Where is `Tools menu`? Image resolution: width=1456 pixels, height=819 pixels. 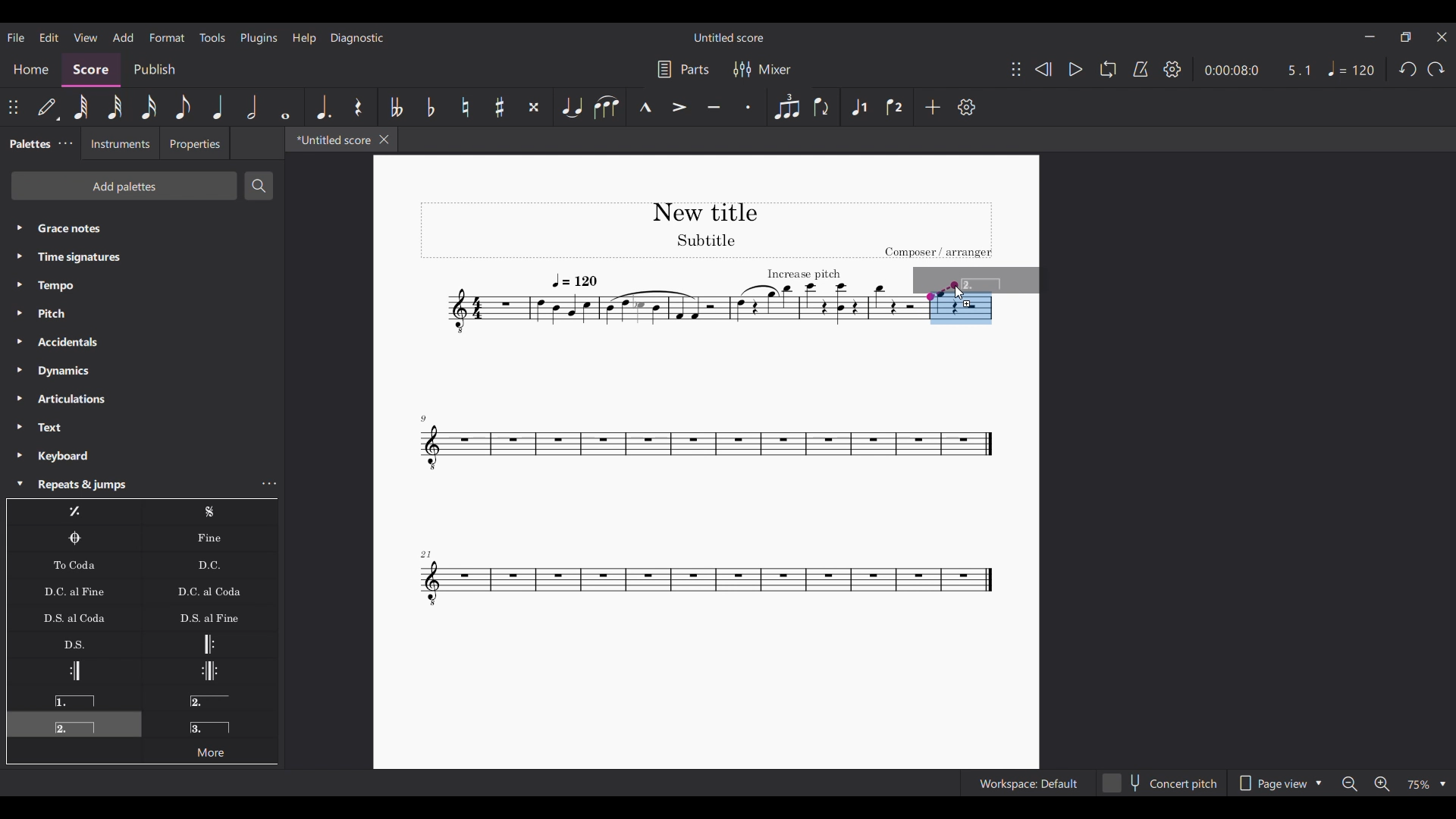 Tools menu is located at coordinates (212, 38).